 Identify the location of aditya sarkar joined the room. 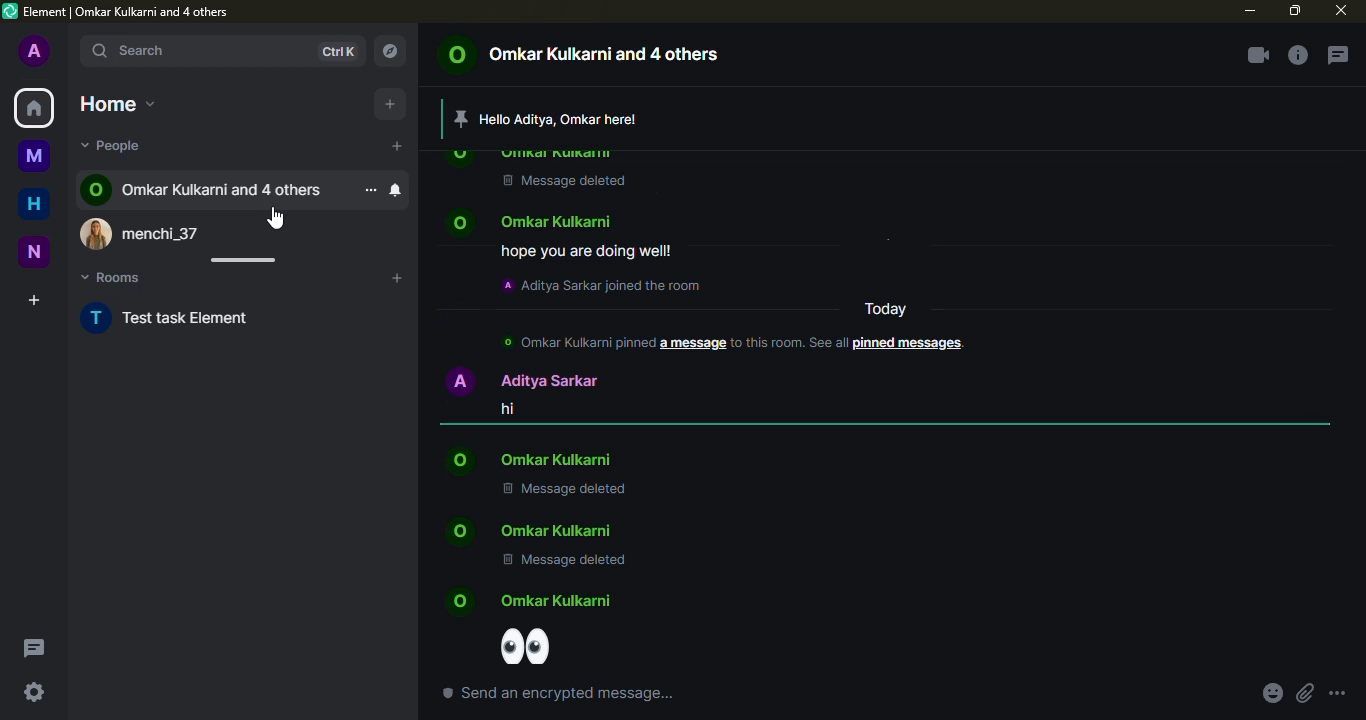
(608, 285).